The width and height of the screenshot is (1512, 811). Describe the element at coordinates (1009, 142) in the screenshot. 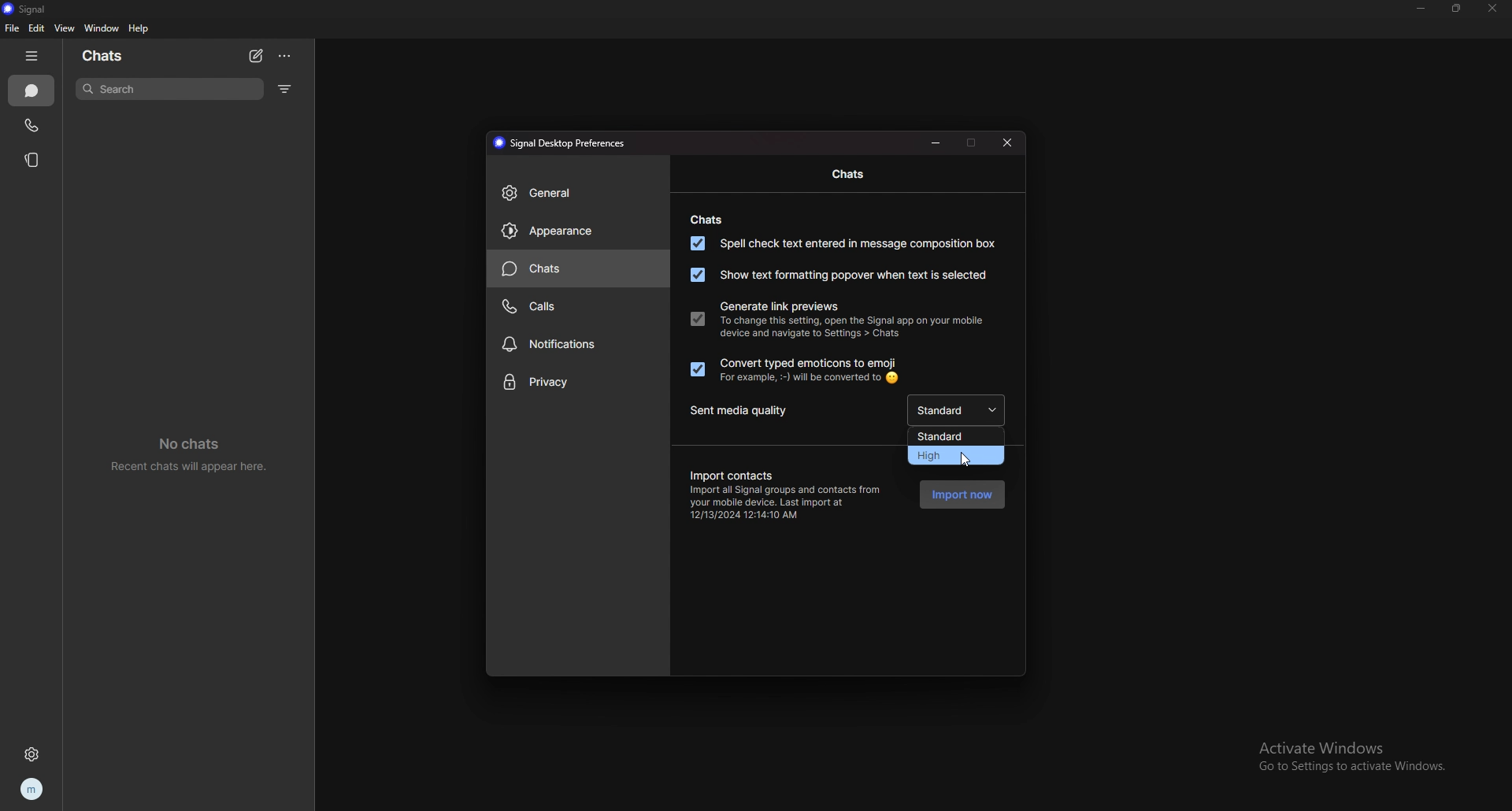

I see `close` at that location.